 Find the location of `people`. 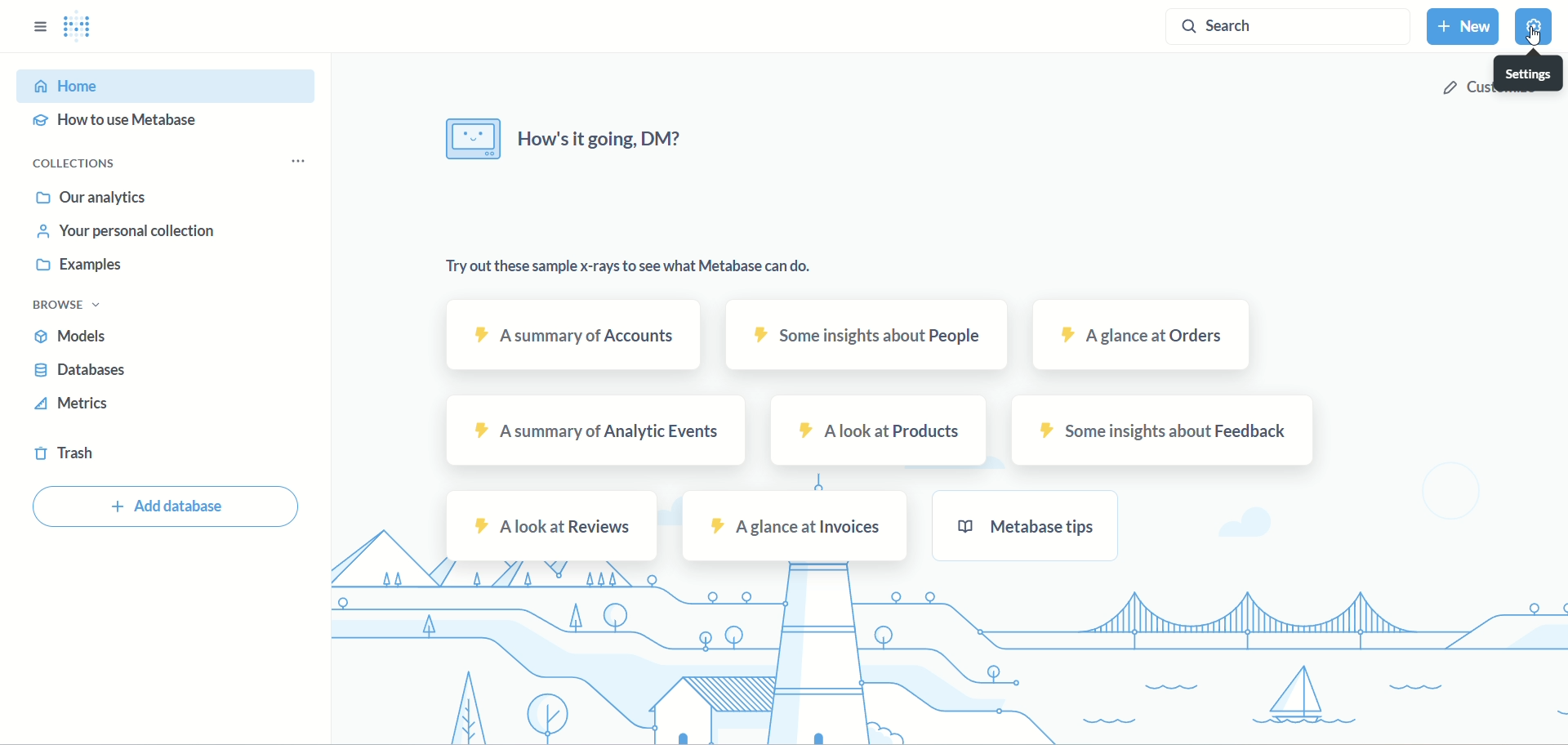

people is located at coordinates (866, 337).